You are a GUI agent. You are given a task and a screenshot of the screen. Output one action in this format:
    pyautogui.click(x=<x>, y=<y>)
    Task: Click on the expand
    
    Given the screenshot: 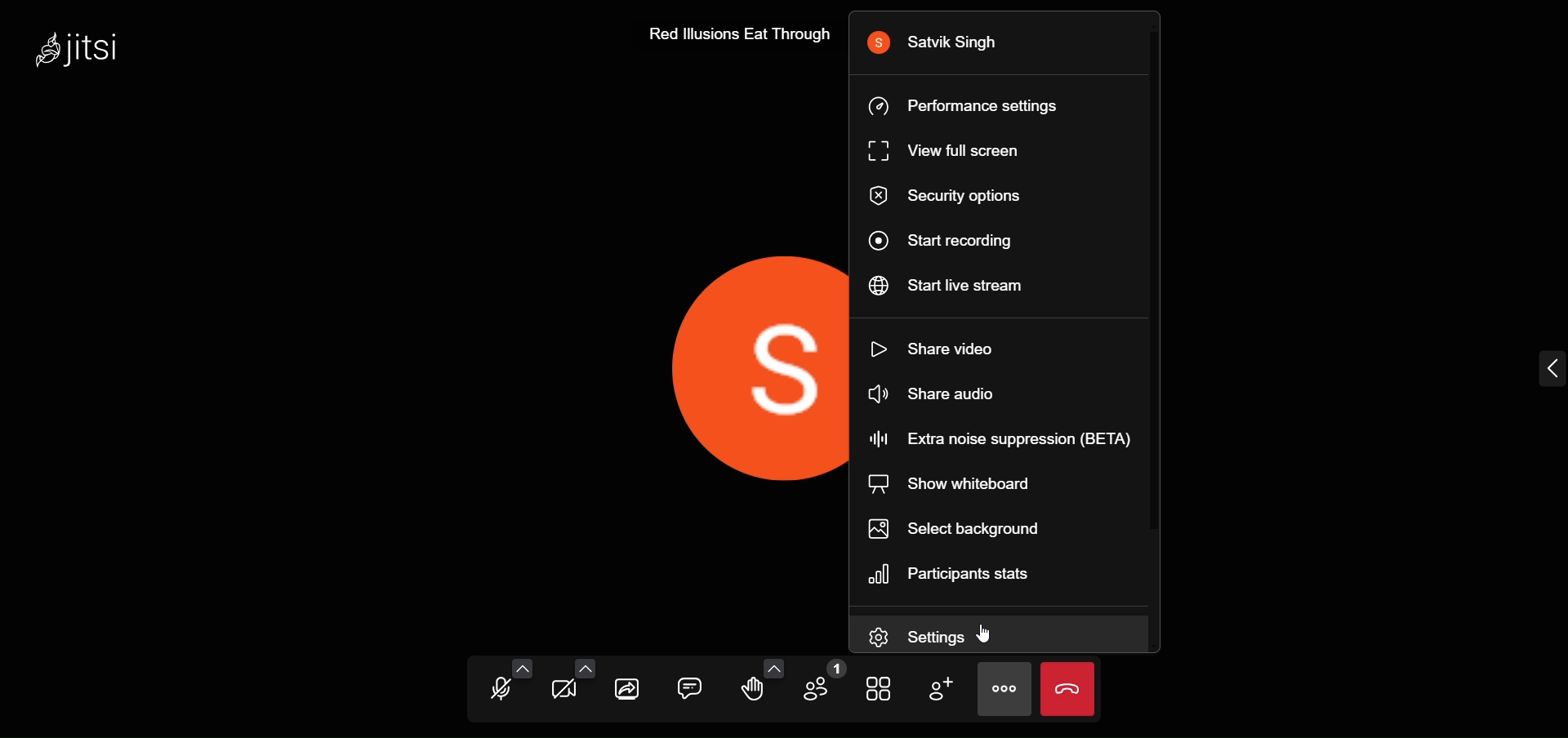 What is the action you would take?
    pyautogui.click(x=1548, y=369)
    